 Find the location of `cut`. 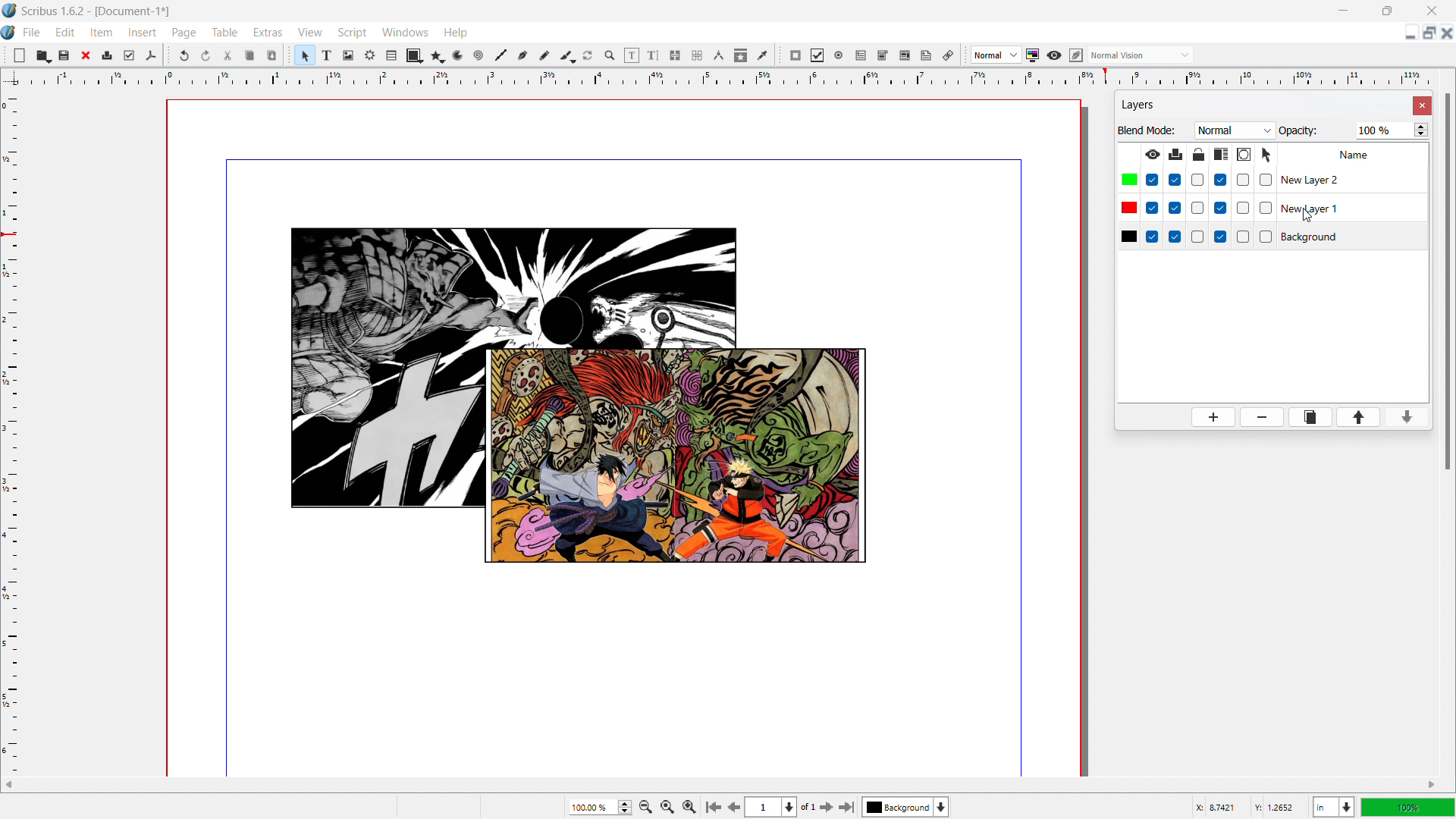

cut is located at coordinates (227, 56).